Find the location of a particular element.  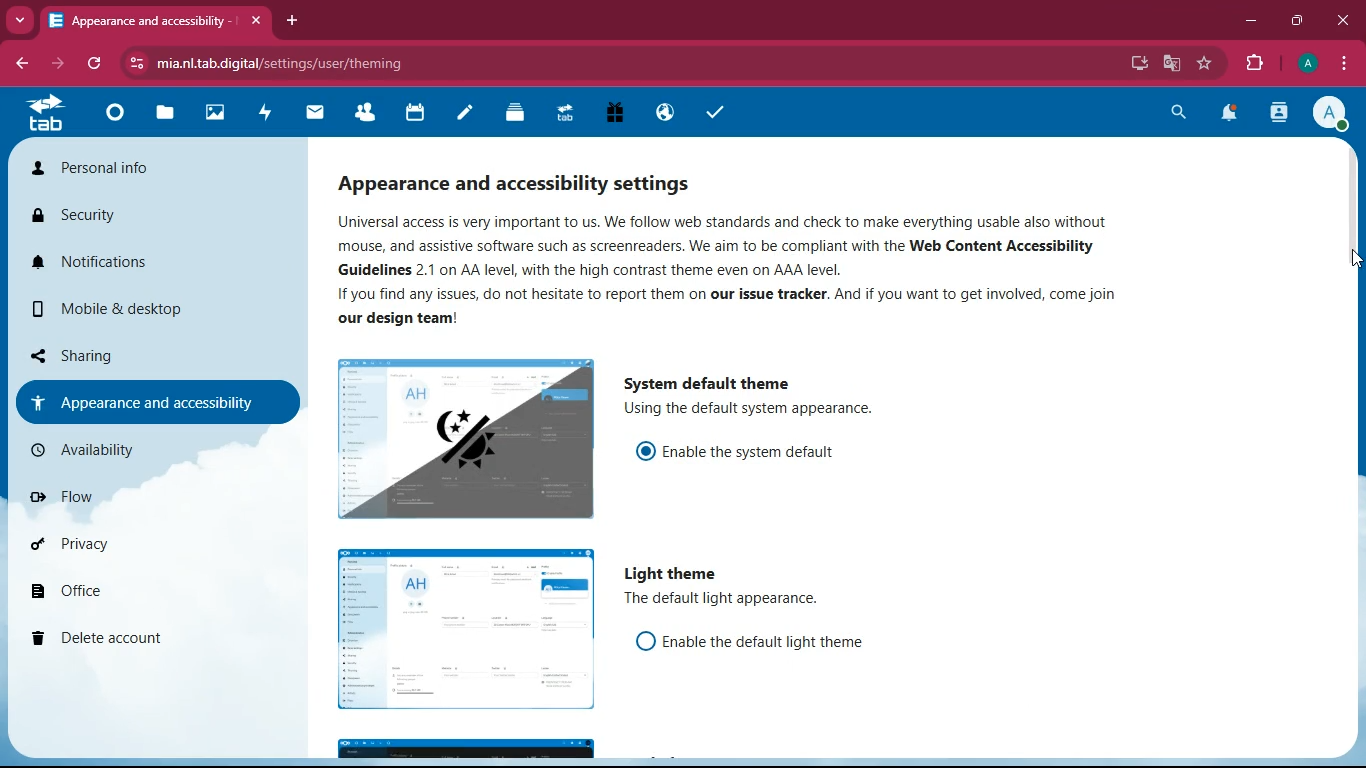

appearance is located at coordinates (155, 401).